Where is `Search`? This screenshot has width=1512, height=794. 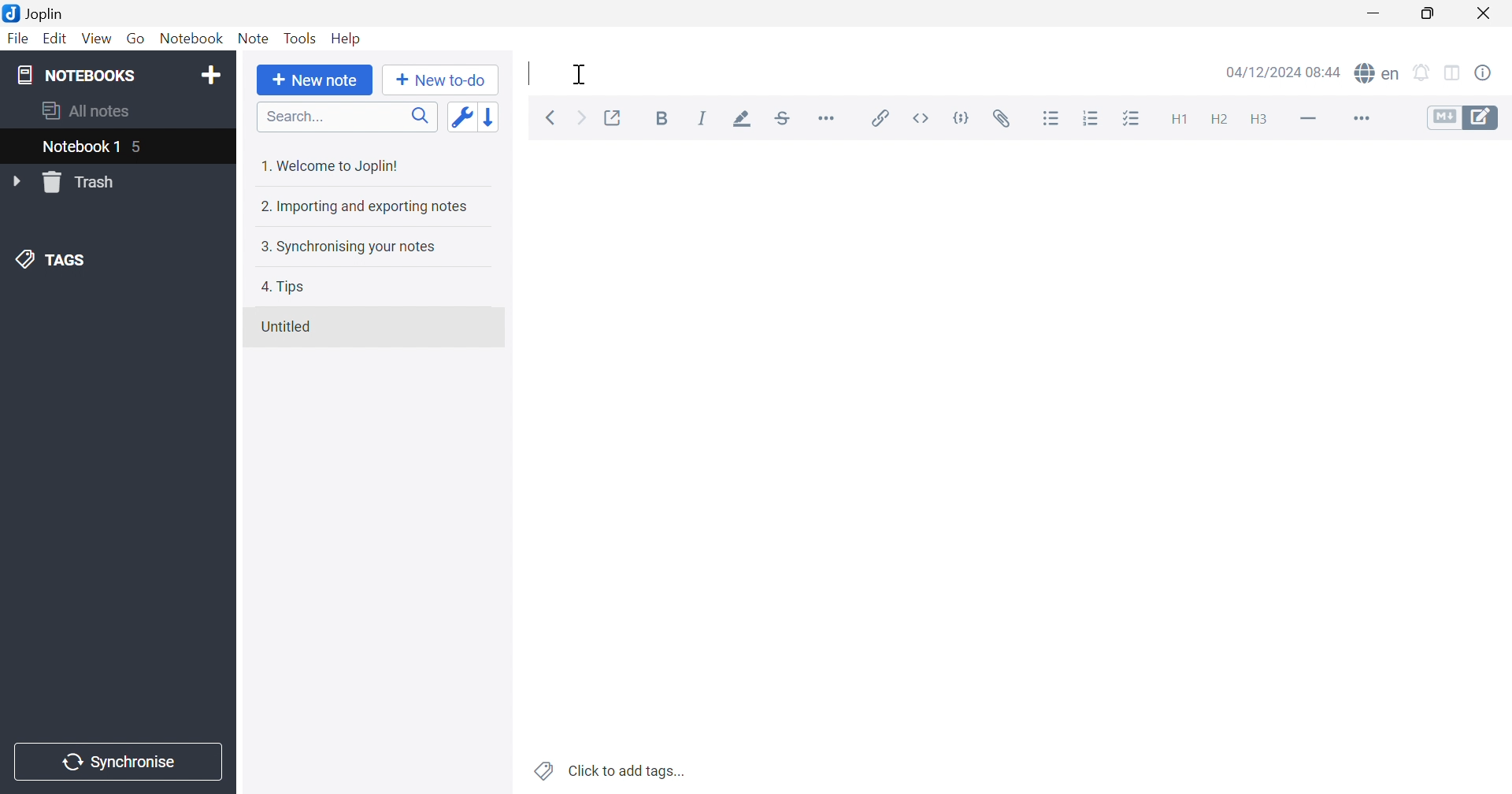 Search is located at coordinates (349, 117).